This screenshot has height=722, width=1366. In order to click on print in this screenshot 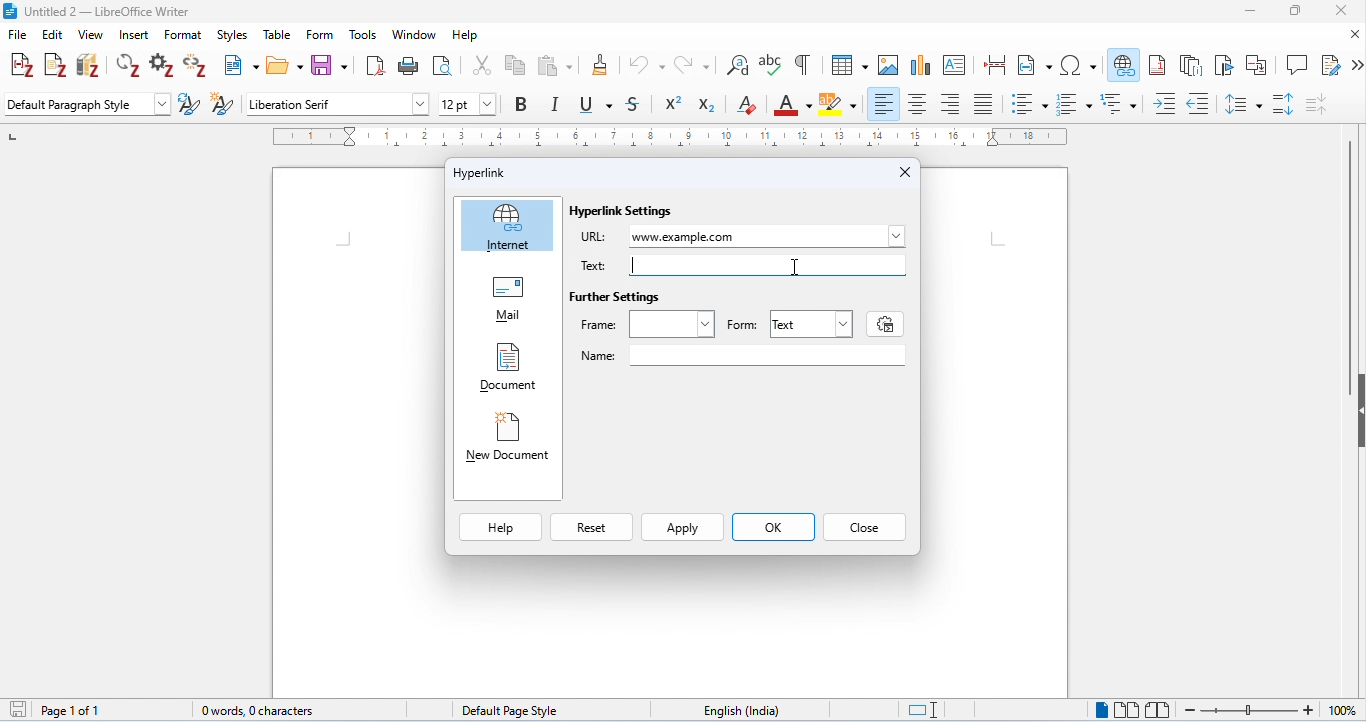, I will do `click(406, 66)`.